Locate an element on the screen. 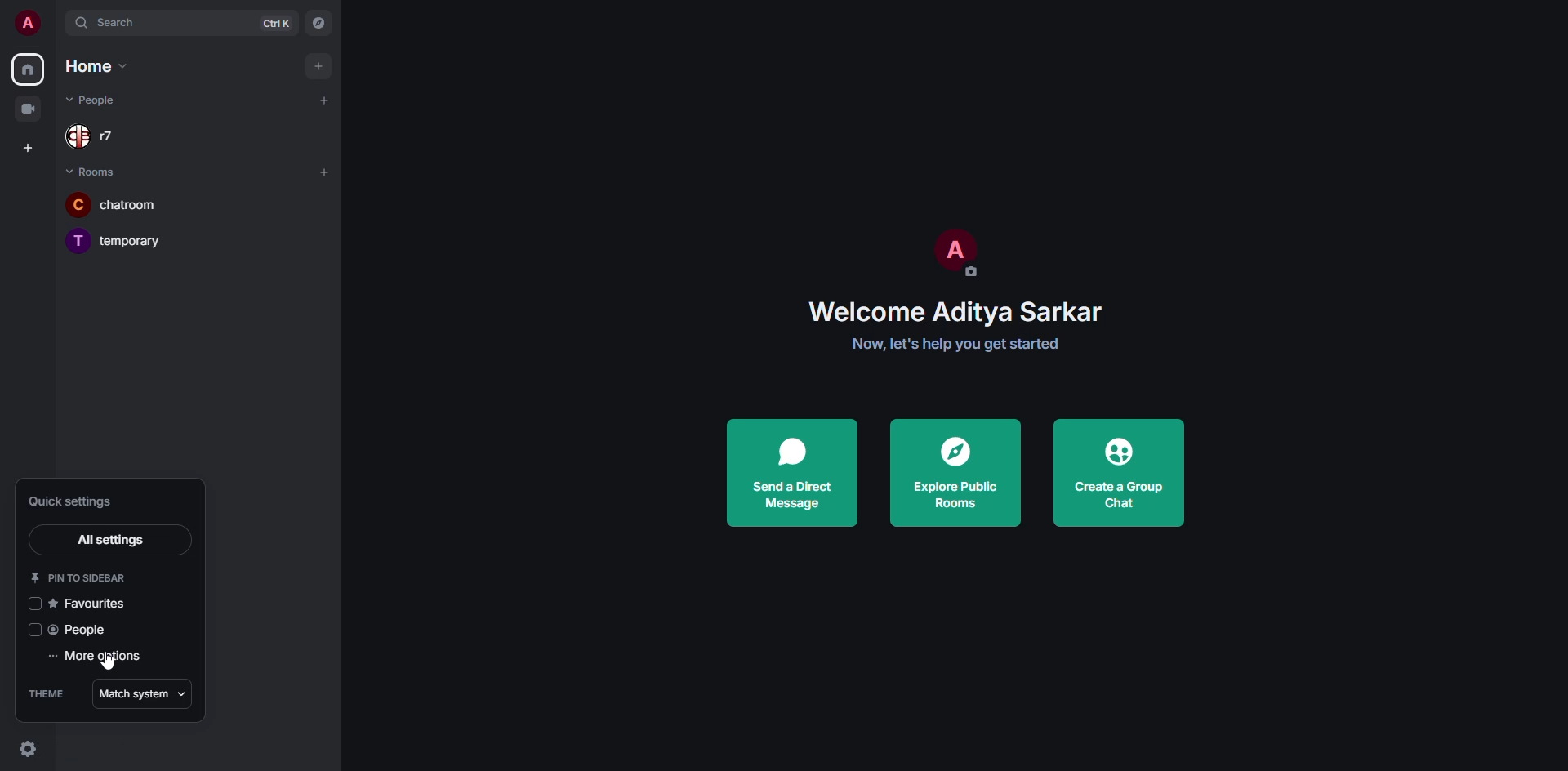 This screenshot has height=771, width=1568. ctrl K is located at coordinates (276, 23).